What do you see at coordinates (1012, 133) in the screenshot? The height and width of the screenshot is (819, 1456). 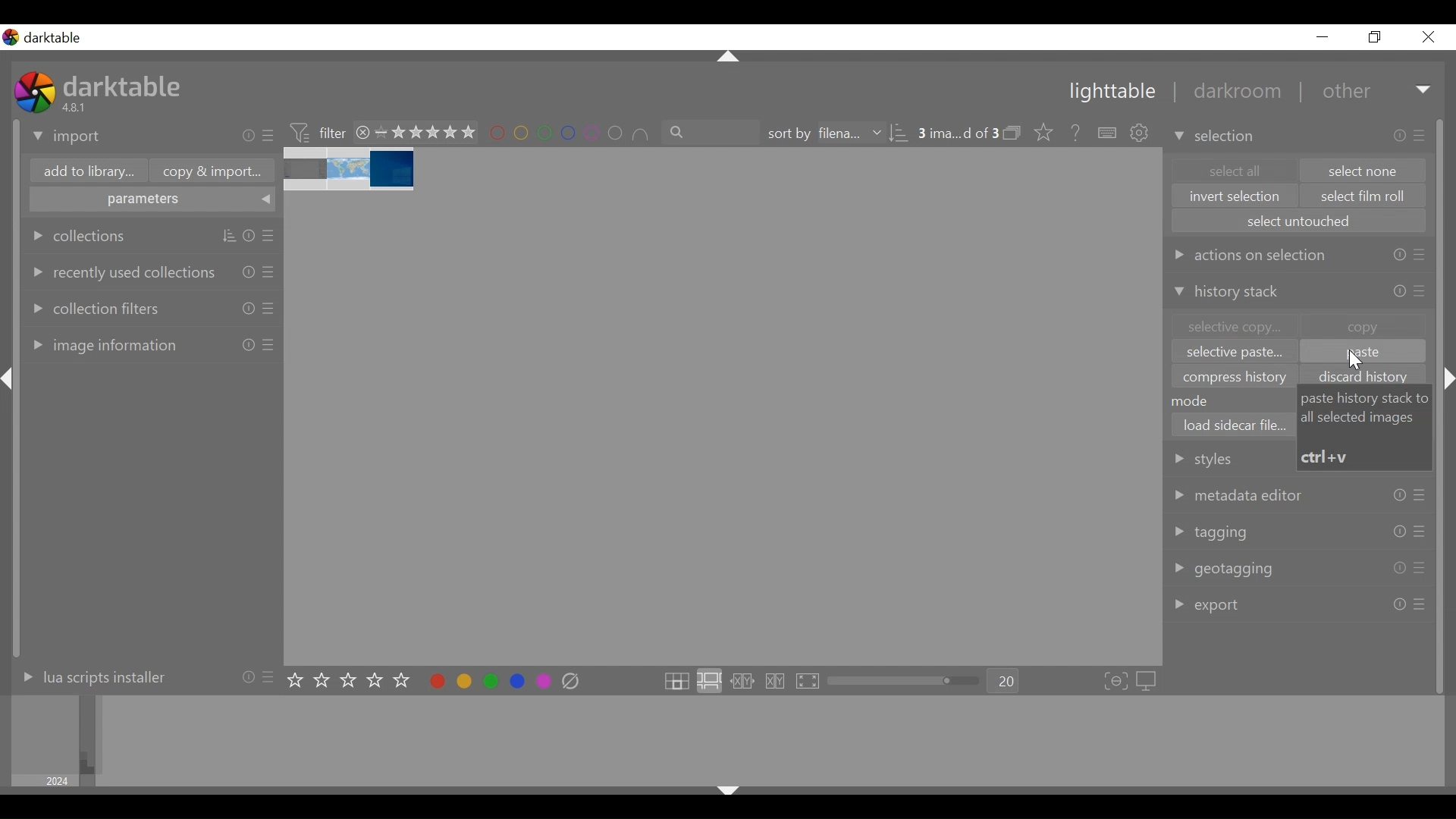 I see `expand/collapse grouped images` at bounding box center [1012, 133].